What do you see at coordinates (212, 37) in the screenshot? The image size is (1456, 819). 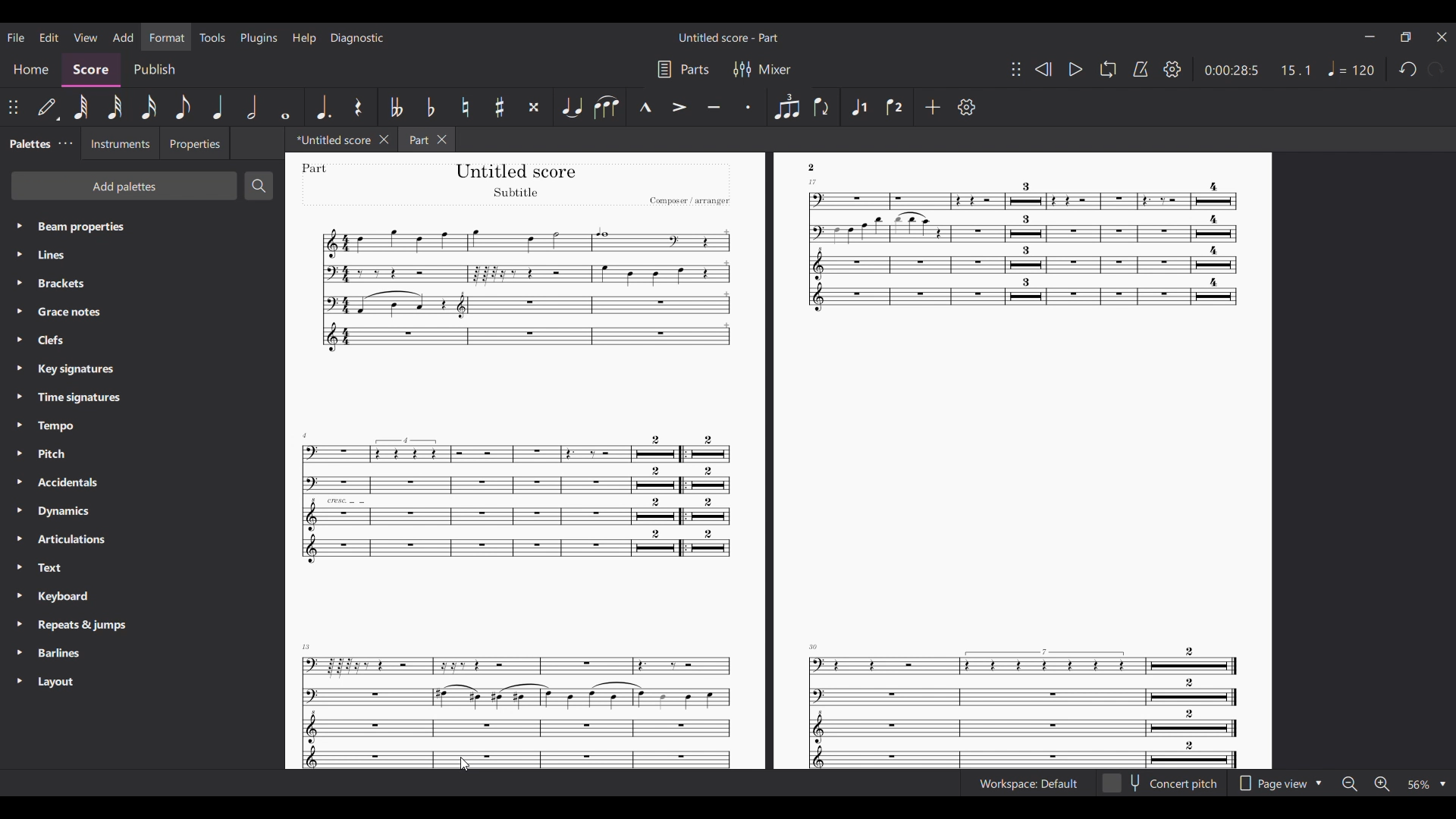 I see `Tools menu` at bounding box center [212, 37].